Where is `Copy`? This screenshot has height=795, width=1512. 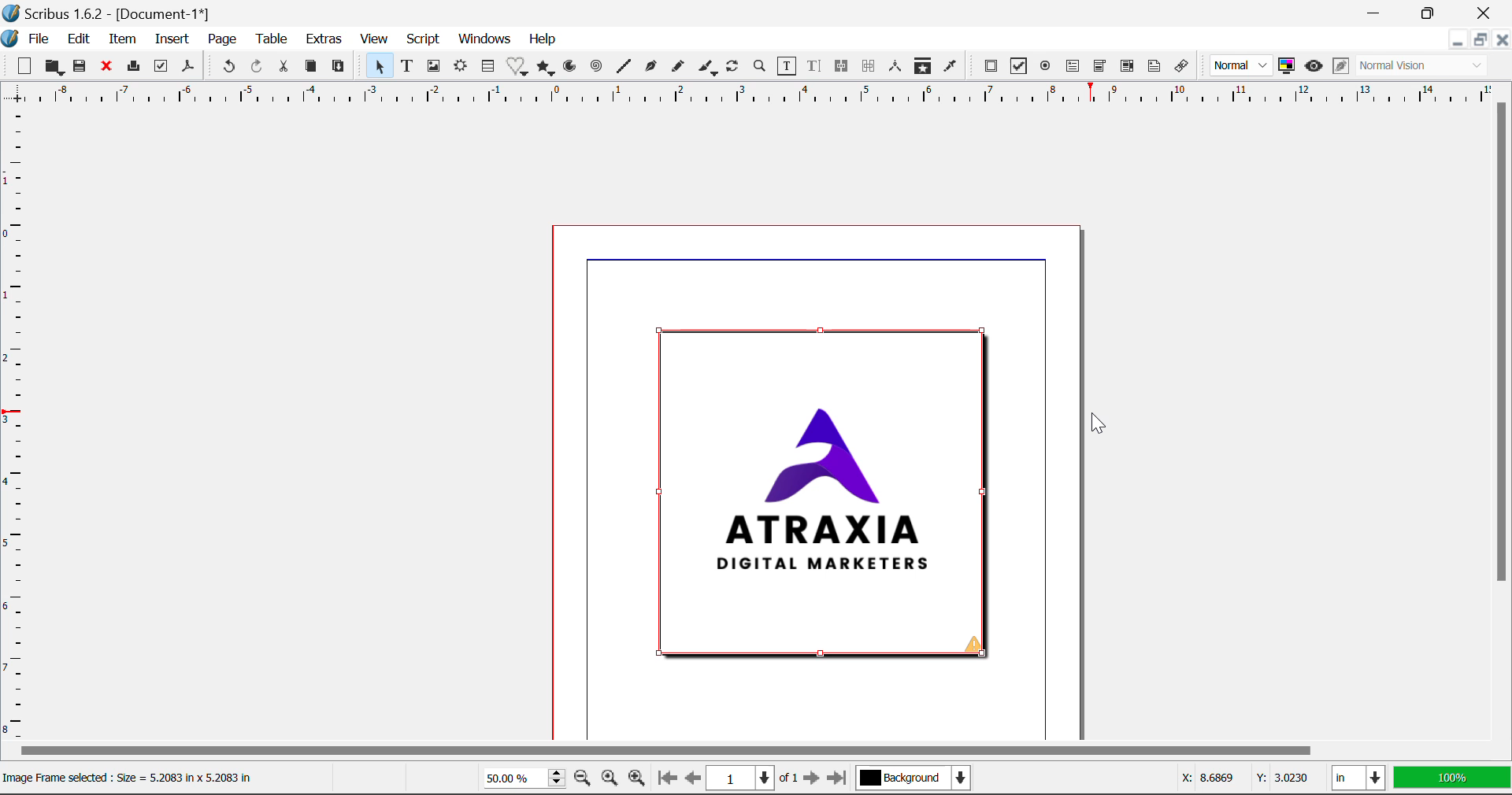
Copy is located at coordinates (311, 68).